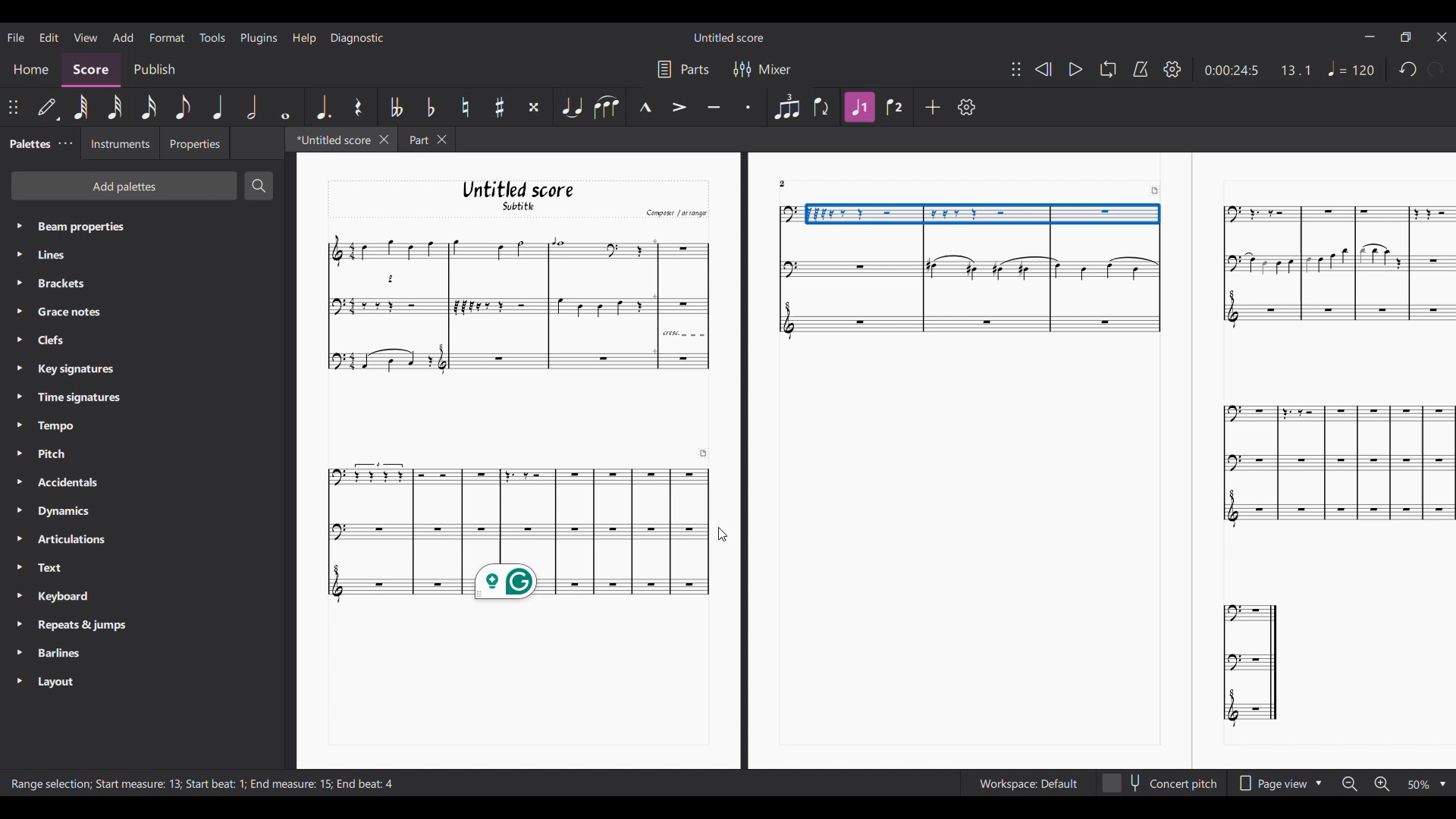  What do you see at coordinates (750, 105) in the screenshot?
I see `Staccato ` at bounding box center [750, 105].